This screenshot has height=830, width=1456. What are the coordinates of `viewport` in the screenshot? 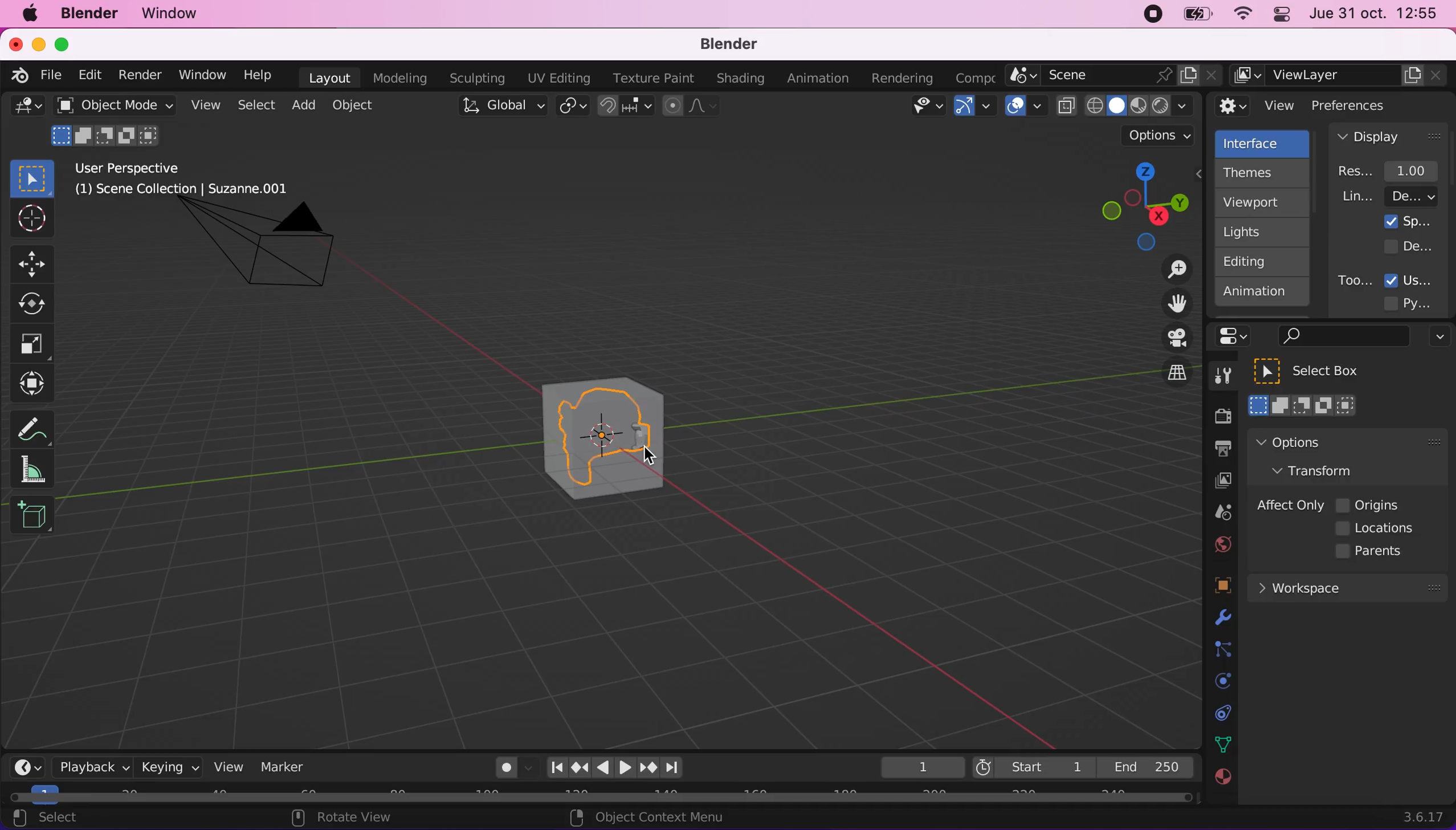 It's located at (1265, 202).